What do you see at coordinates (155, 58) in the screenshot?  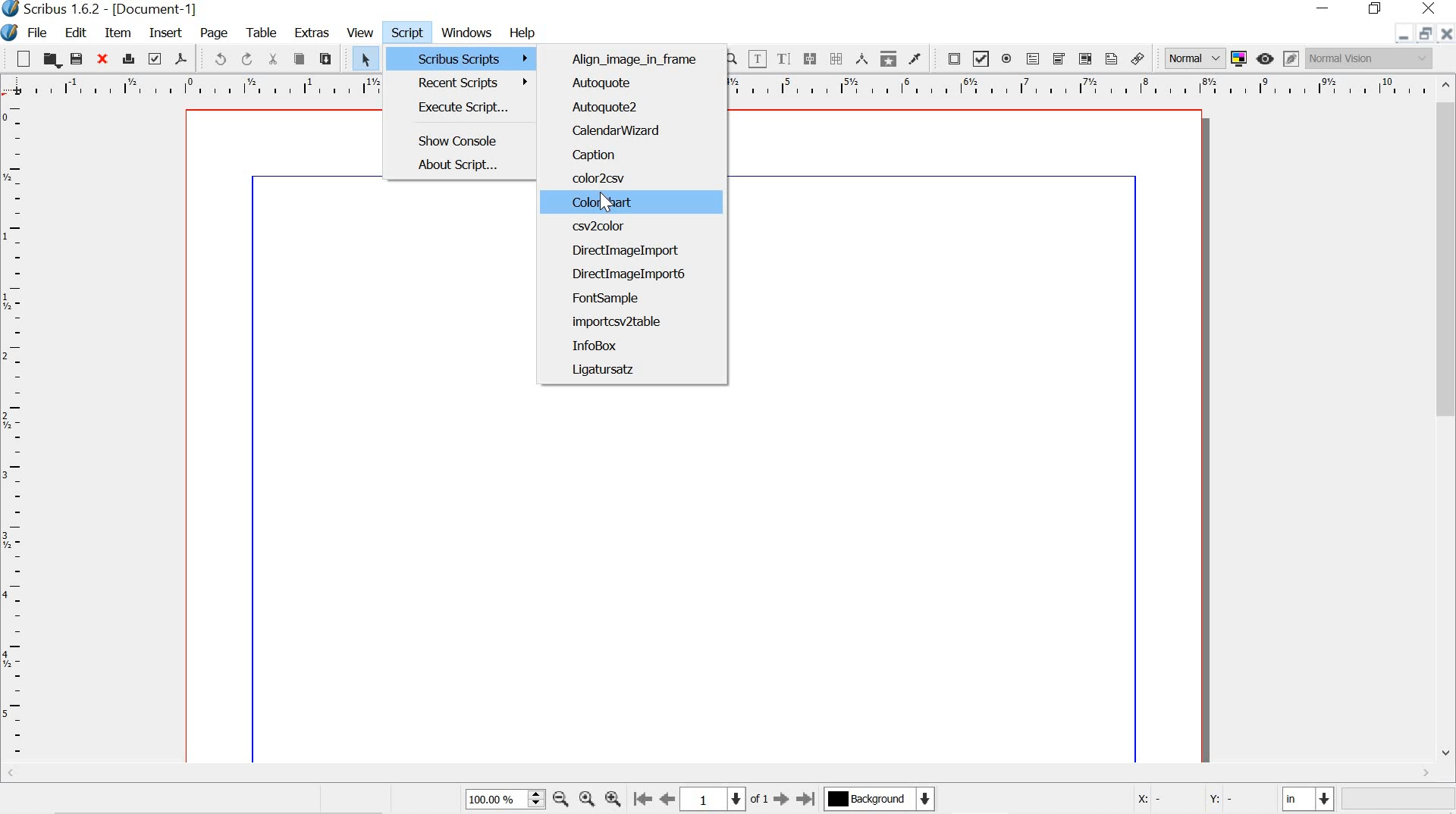 I see `preflight verifier` at bounding box center [155, 58].